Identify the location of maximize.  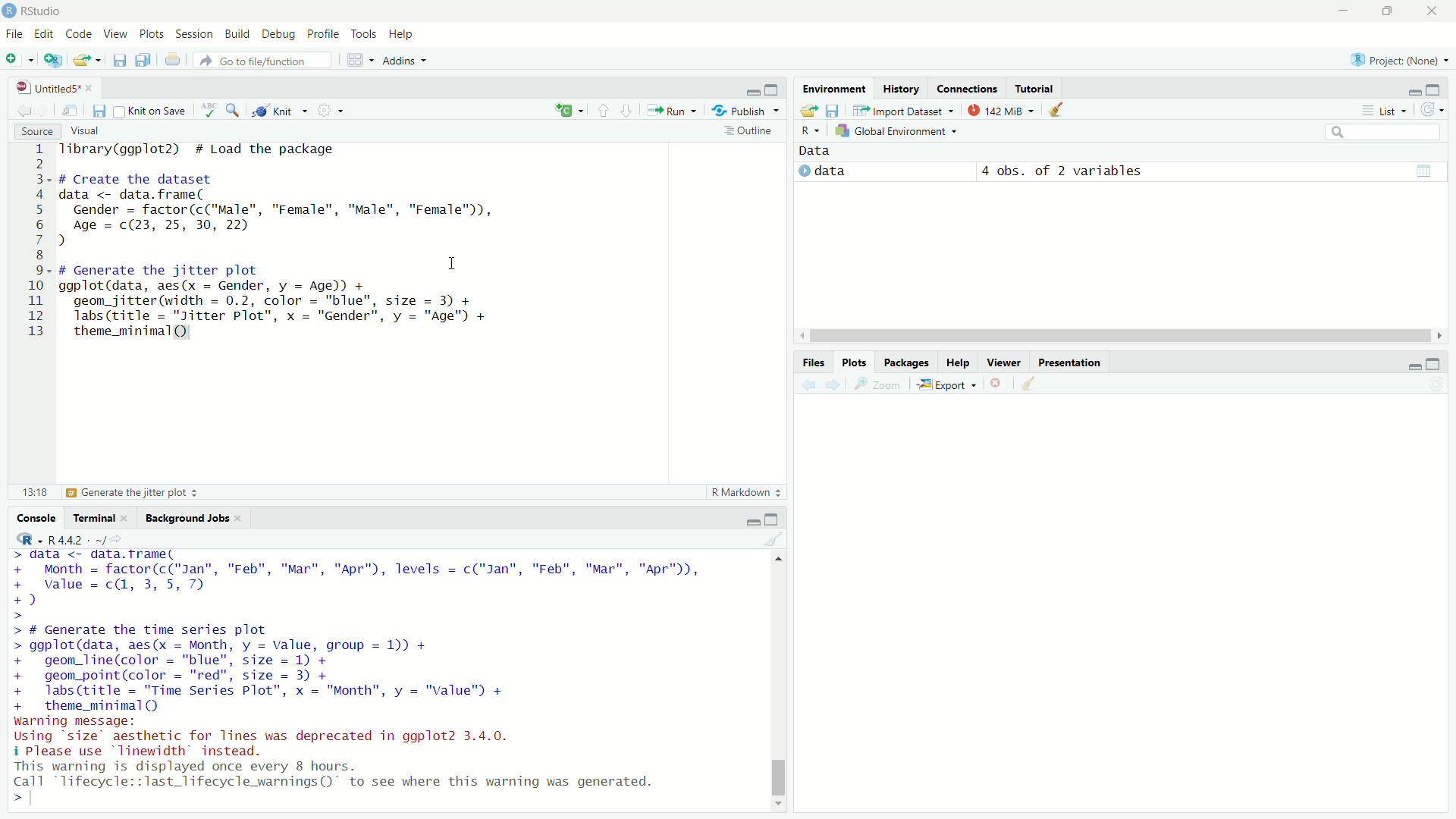
(1439, 362).